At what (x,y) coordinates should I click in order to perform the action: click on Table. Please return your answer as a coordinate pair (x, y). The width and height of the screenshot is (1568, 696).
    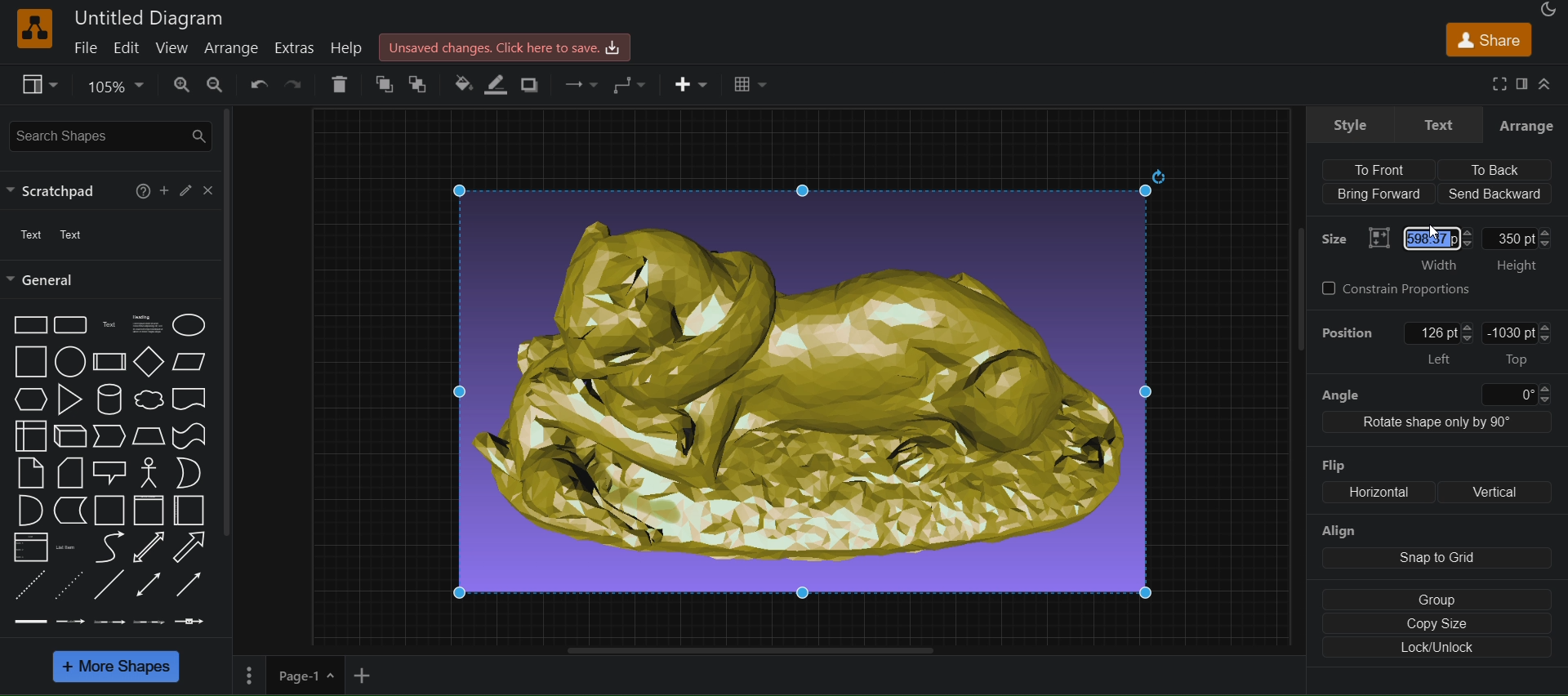
    Looking at the image, I should click on (748, 86).